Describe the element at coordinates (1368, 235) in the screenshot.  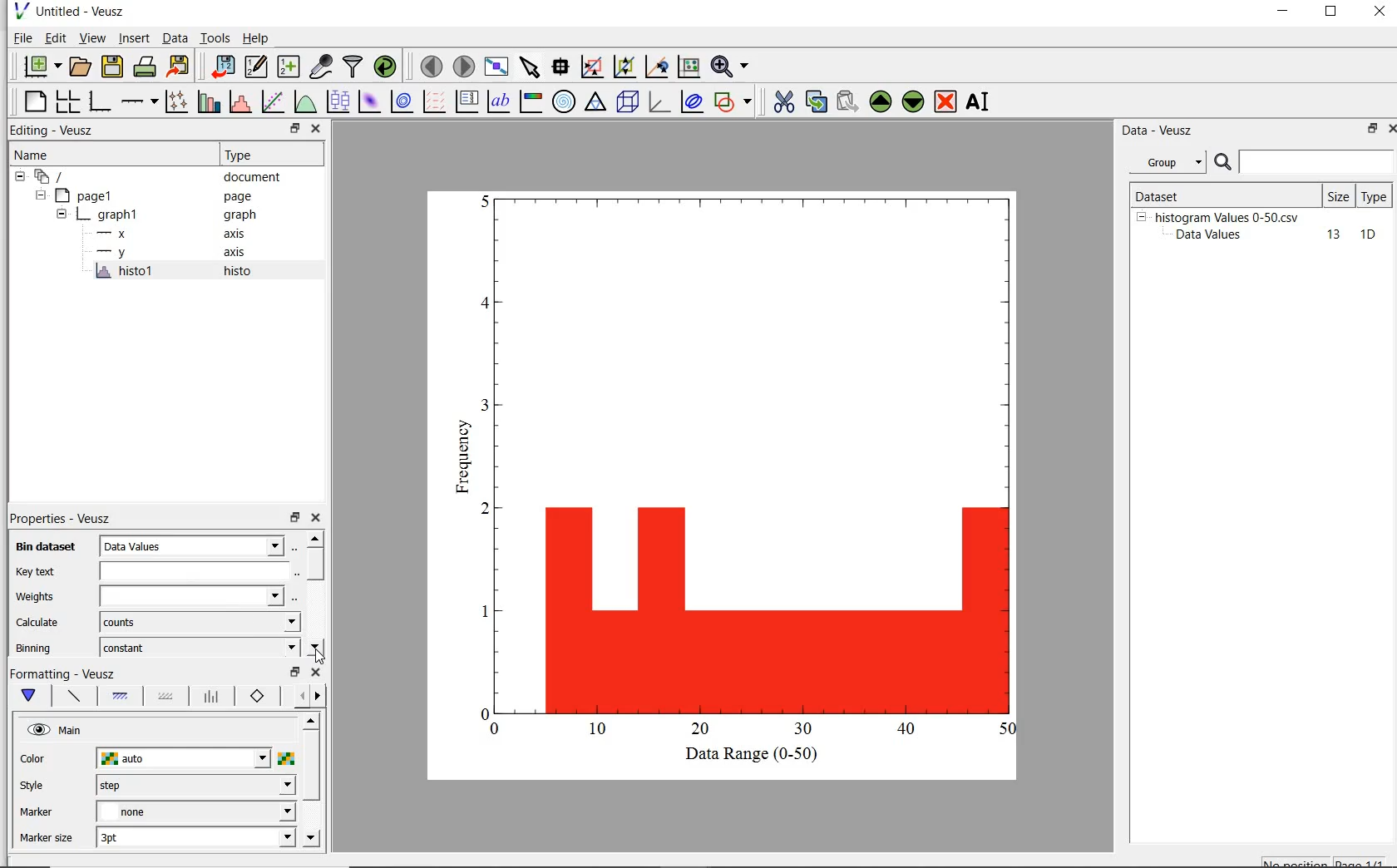
I see `10` at that location.